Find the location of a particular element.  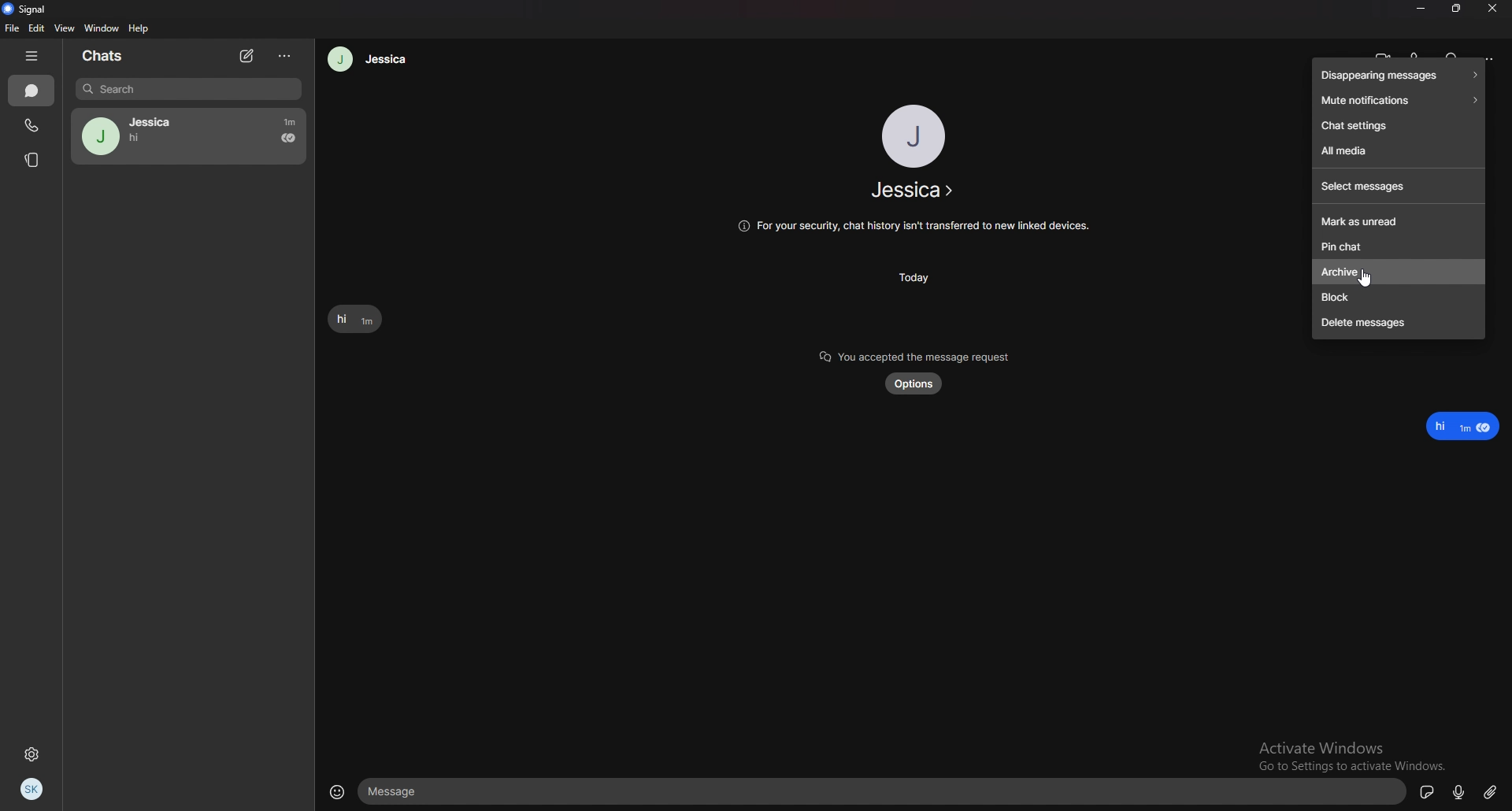

mute notifications is located at coordinates (1397, 100).